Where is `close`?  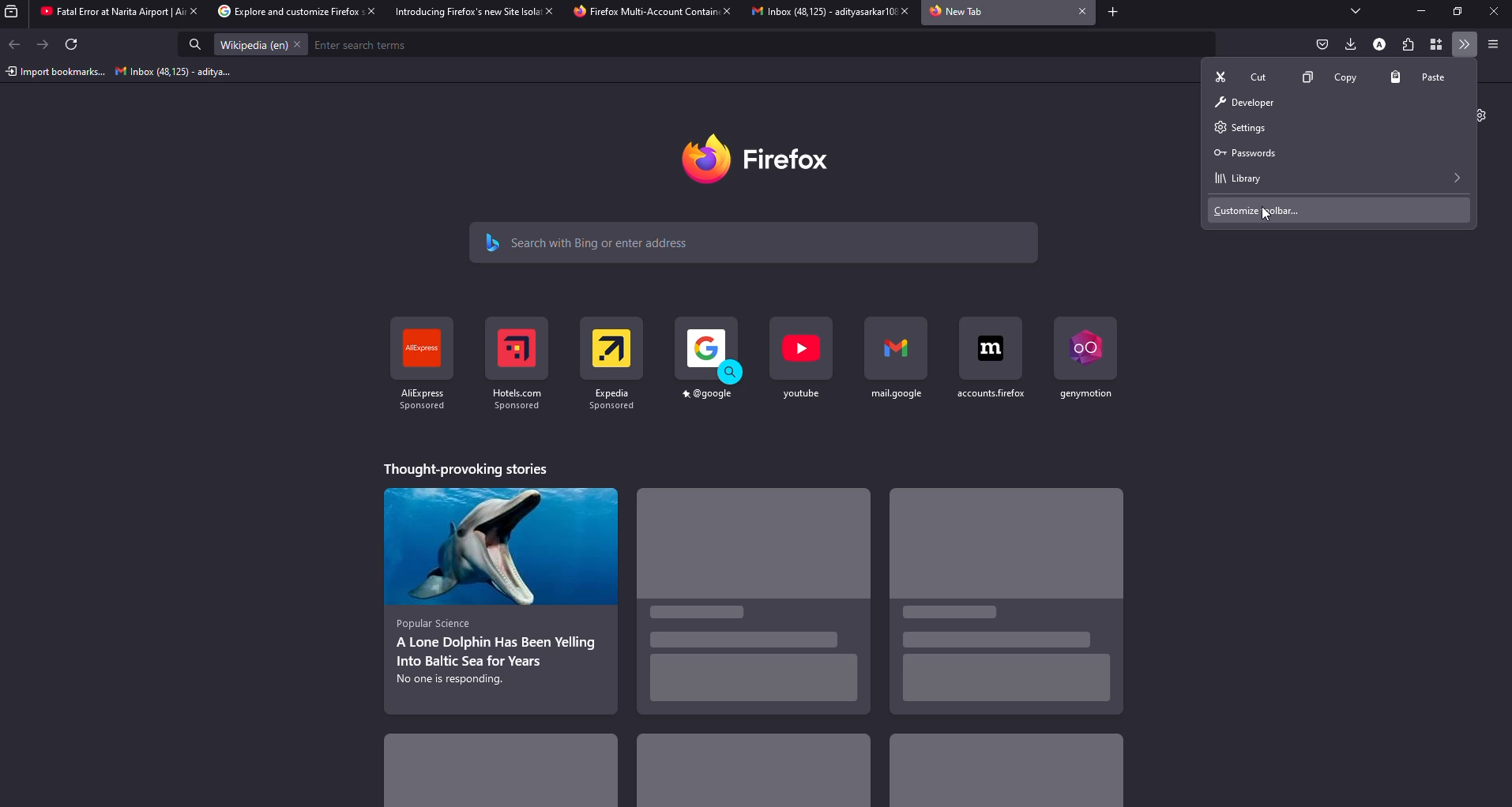 close is located at coordinates (900, 11).